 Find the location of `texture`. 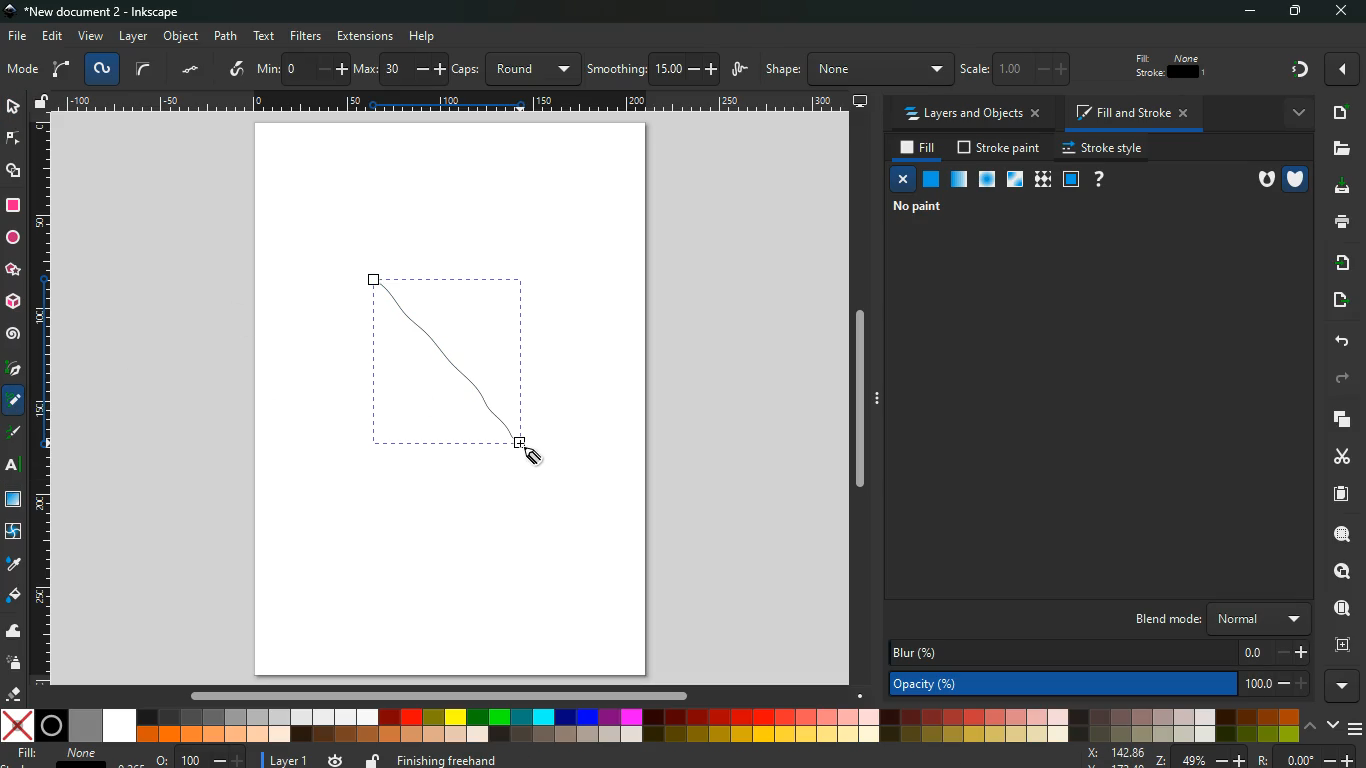

texture is located at coordinates (1042, 179).